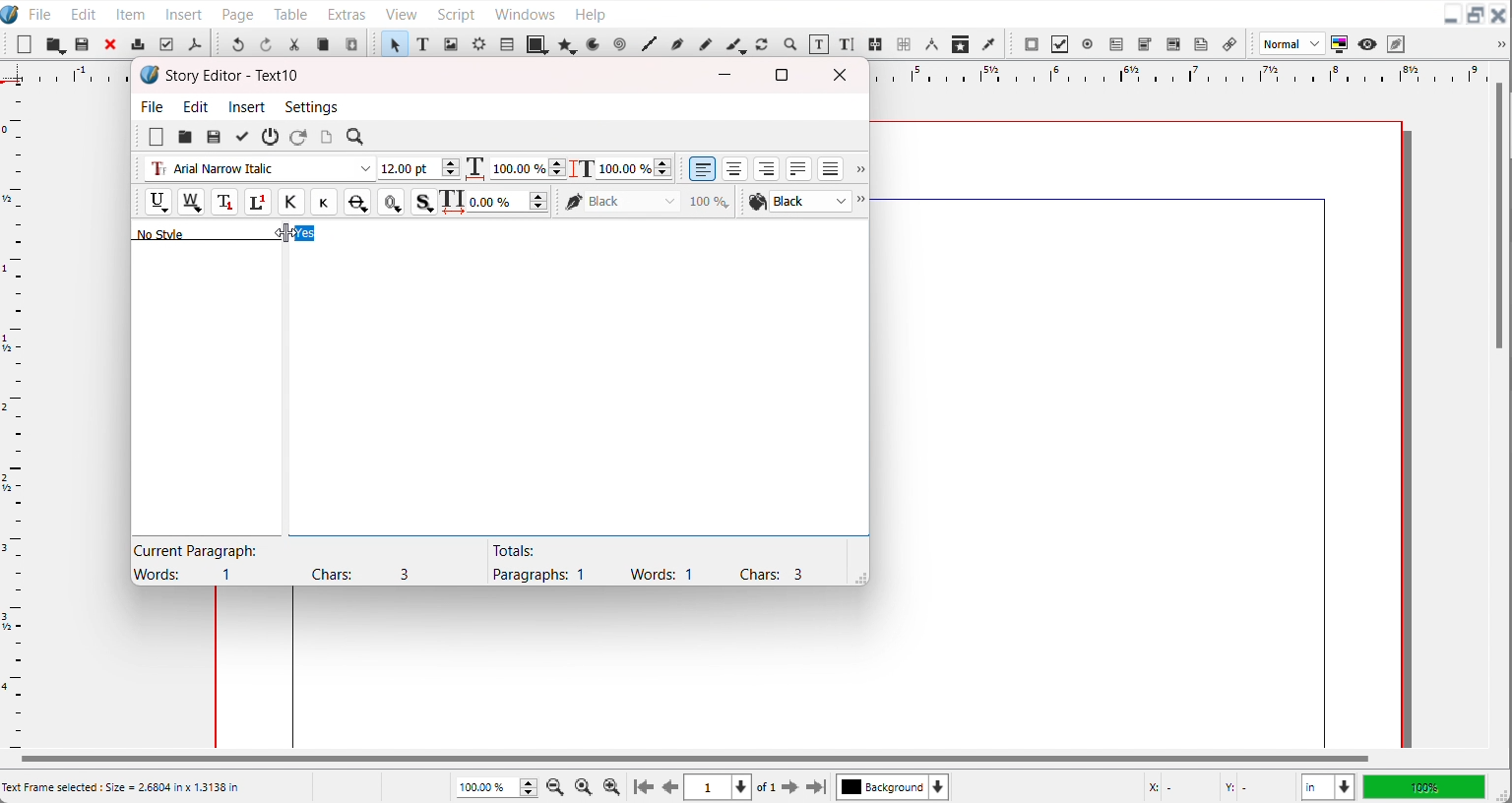 Image resolution: width=1512 pixels, height=803 pixels. I want to click on All caps, so click(290, 202).